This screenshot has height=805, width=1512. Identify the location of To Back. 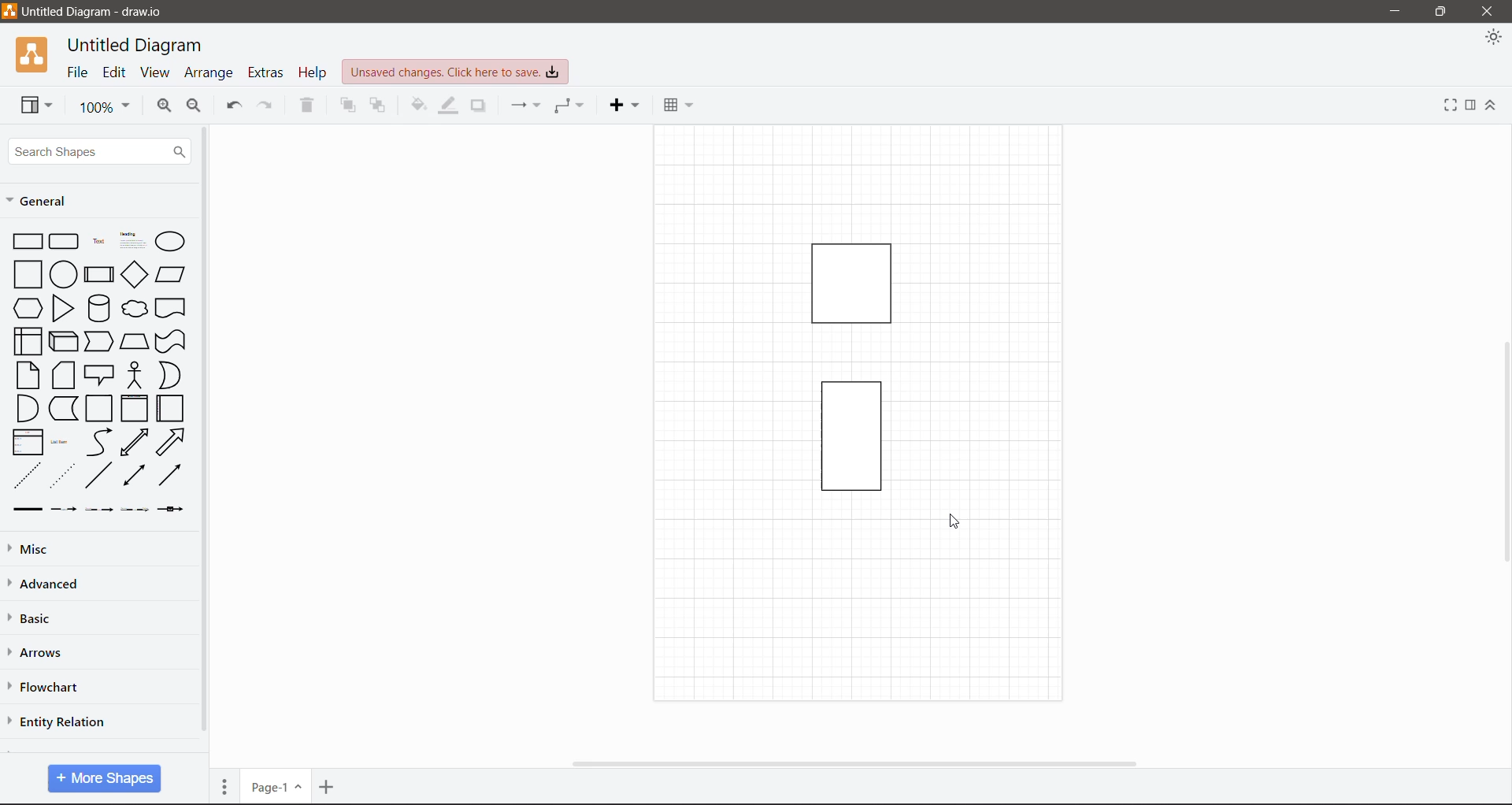
(376, 106).